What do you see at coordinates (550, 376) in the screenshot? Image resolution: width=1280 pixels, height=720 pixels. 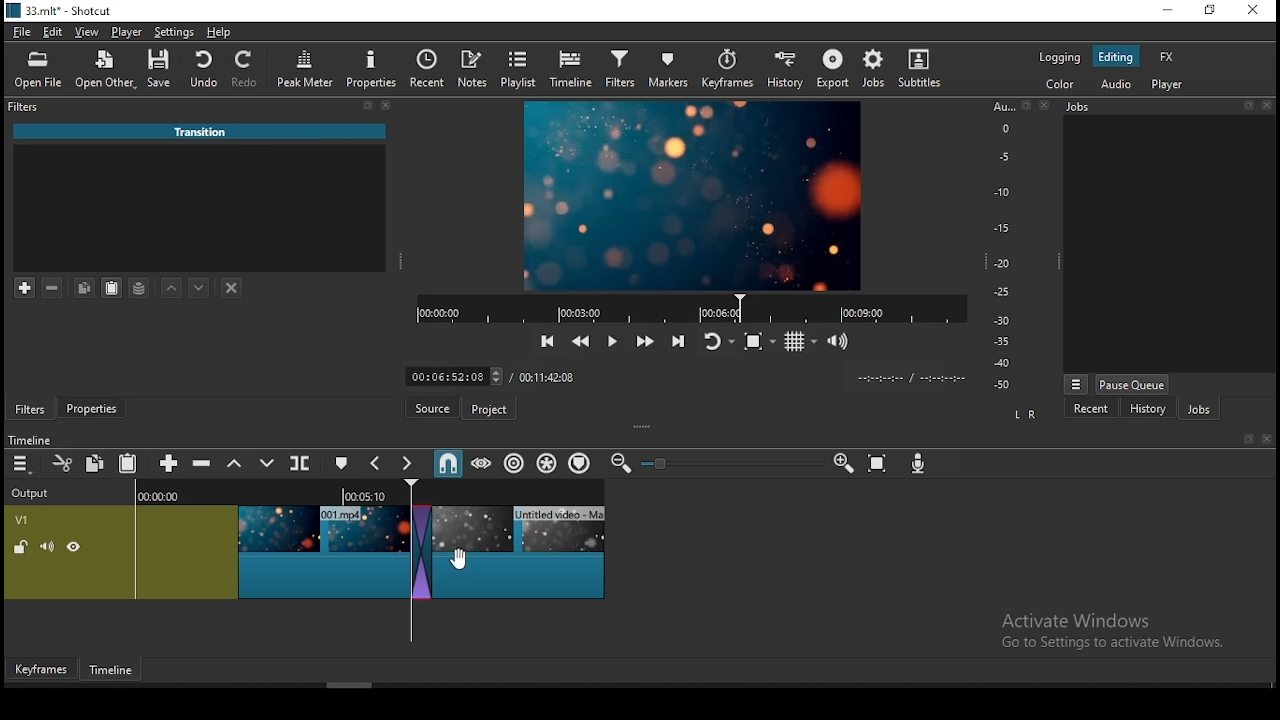 I see `track duration` at bounding box center [550, 376].